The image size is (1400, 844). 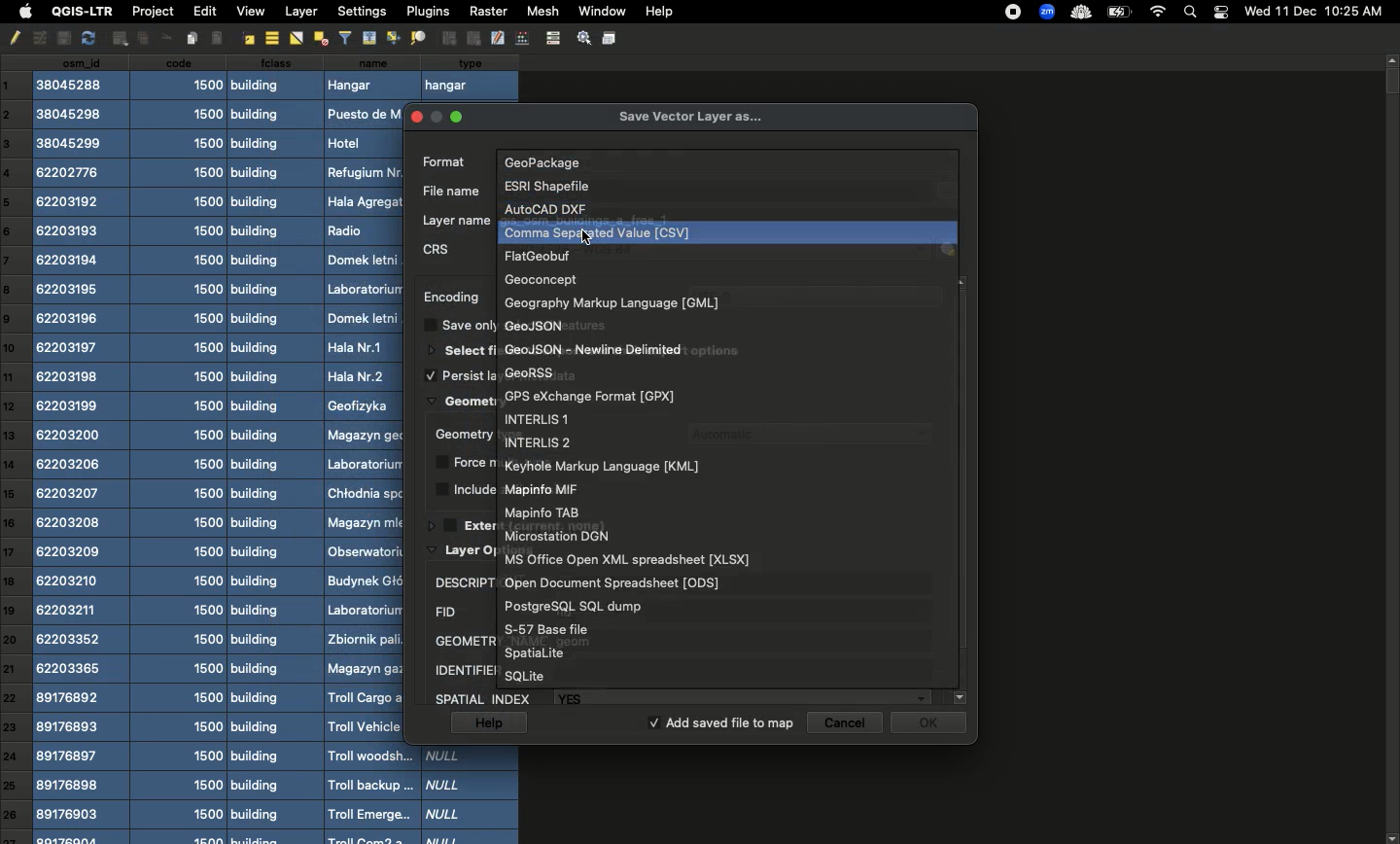 What do you see at coordinates (553, 158) in the screenshot?
I see `Format` at bounding box center [553, 158].